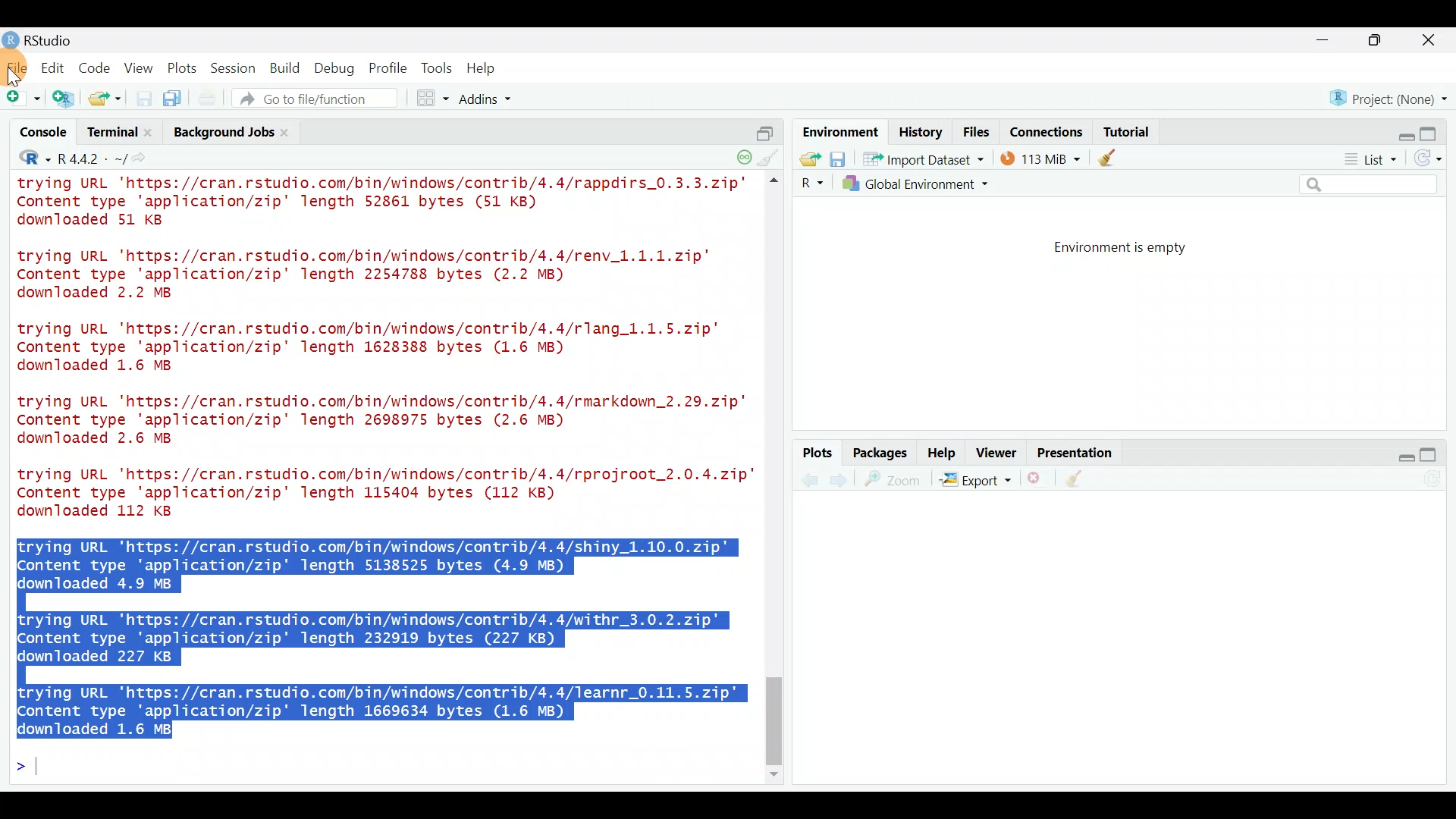 The image size is (1456, 819). I want to click on close terminal, so click(151, 133).